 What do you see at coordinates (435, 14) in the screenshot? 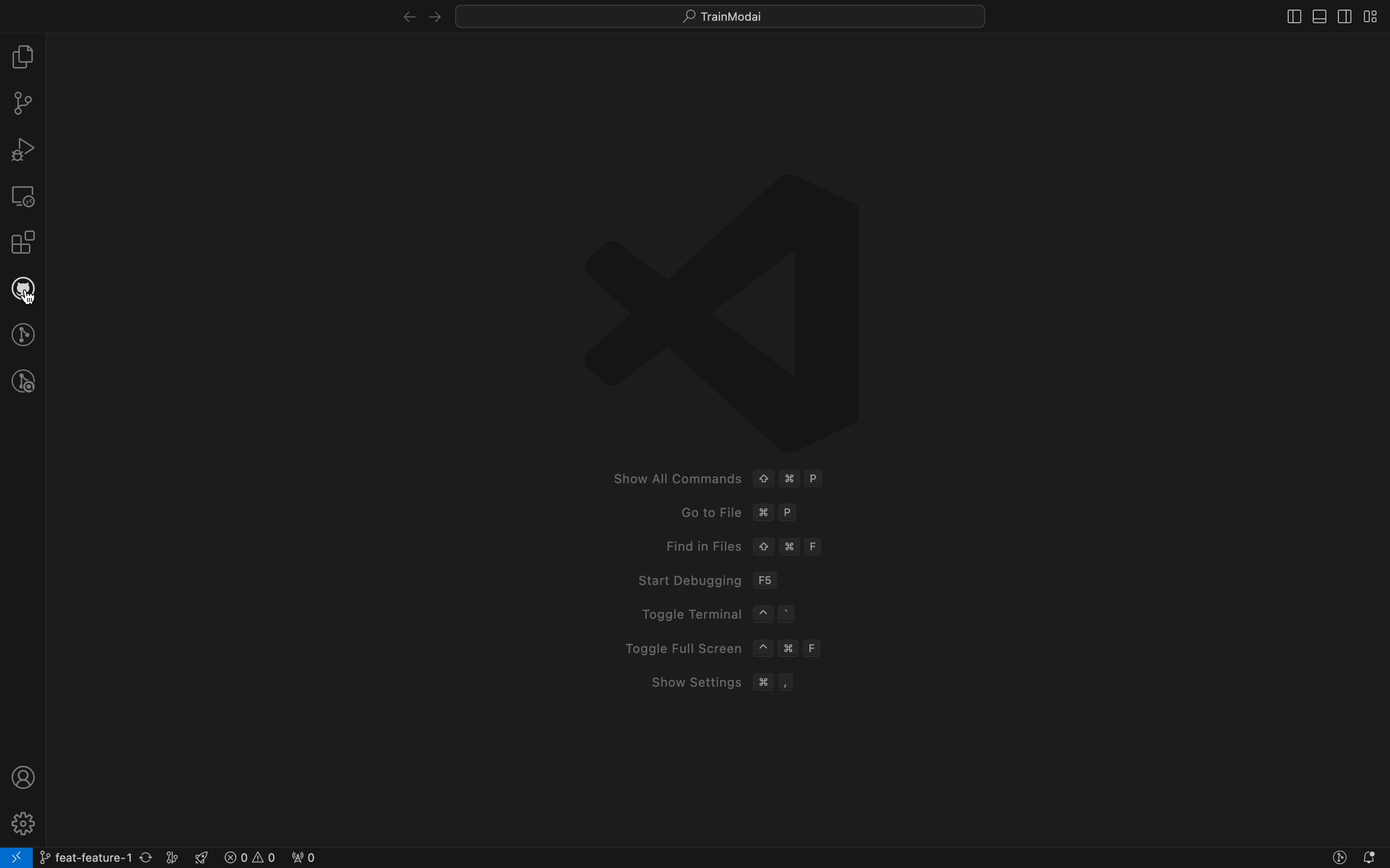
I see `left arrow` at bounding box center [435, 14].